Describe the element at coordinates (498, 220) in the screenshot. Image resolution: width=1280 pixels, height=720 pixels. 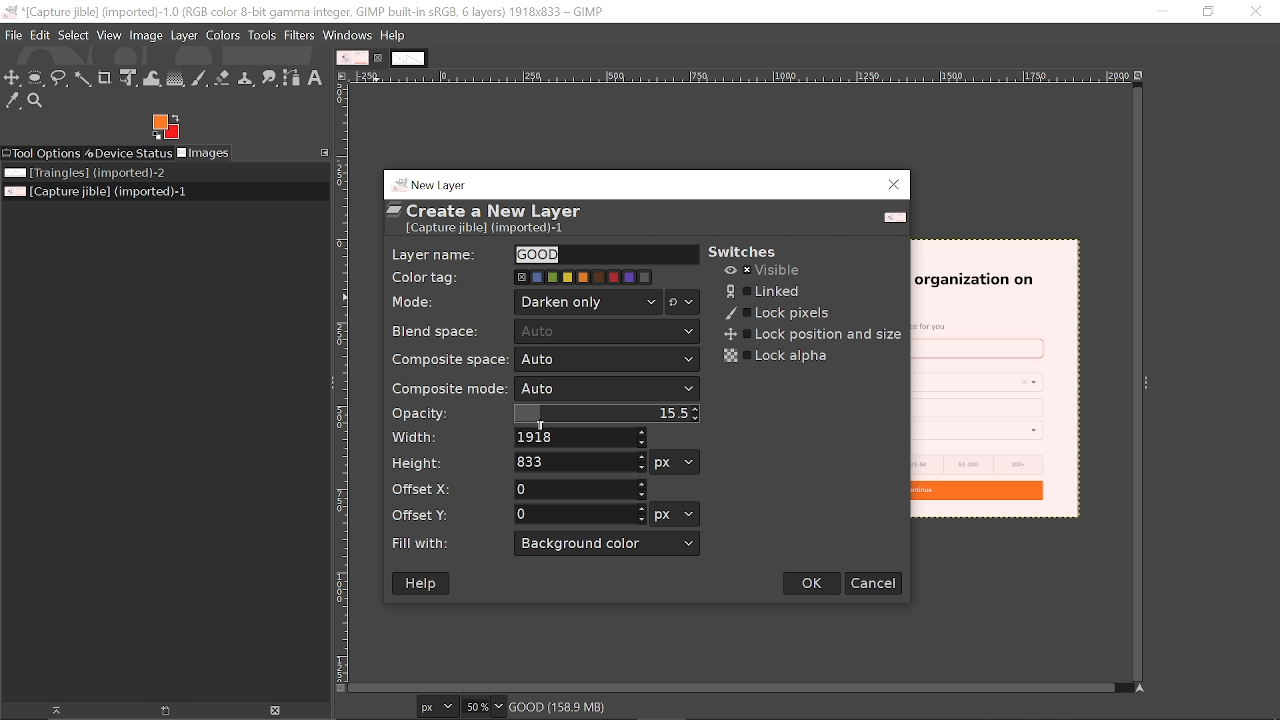
I see `“ Create a New Layer` at that location.